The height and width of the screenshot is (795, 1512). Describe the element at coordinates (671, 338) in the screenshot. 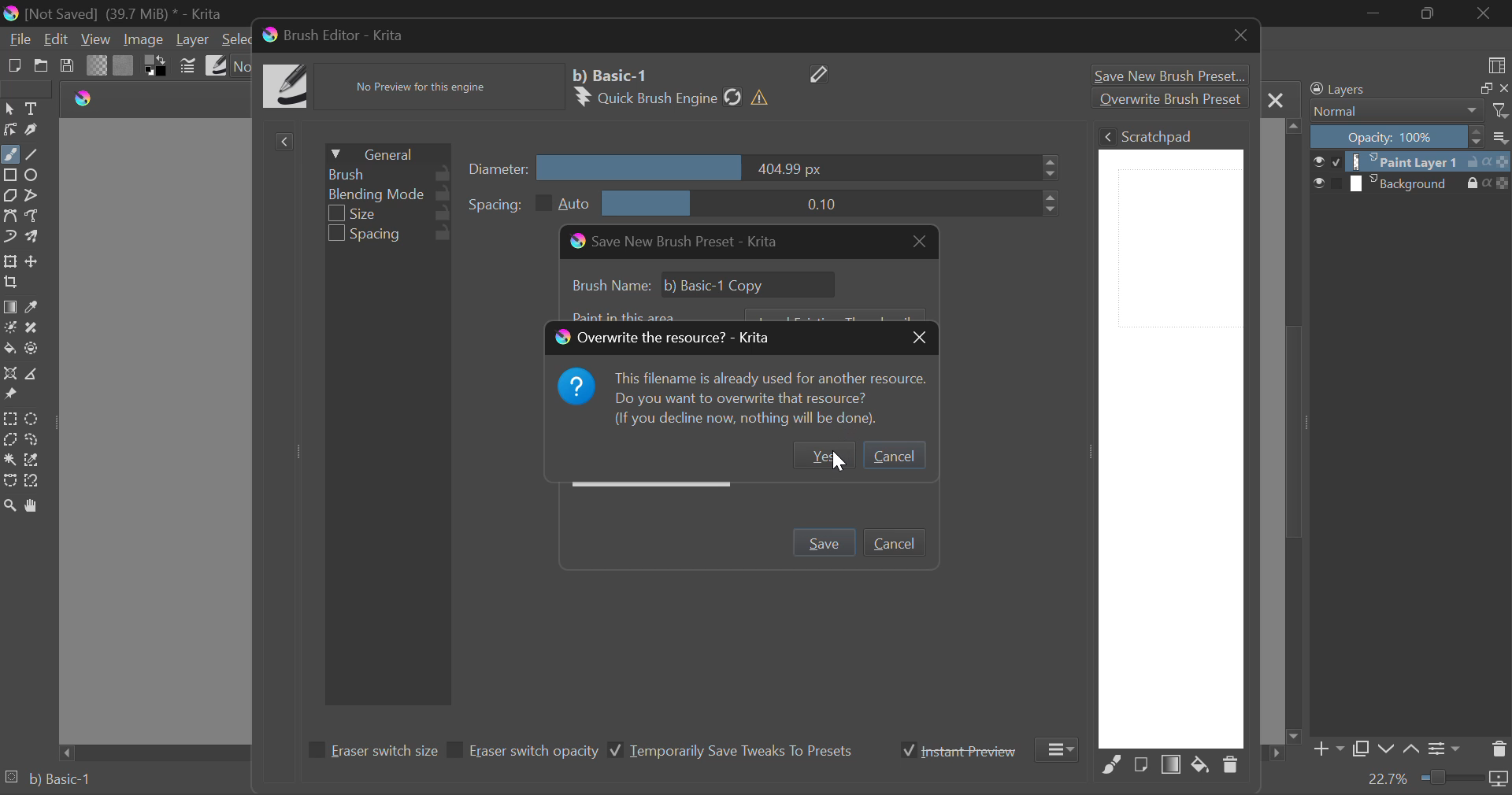

I see `Overwrite the resource?-Krita` at that location.